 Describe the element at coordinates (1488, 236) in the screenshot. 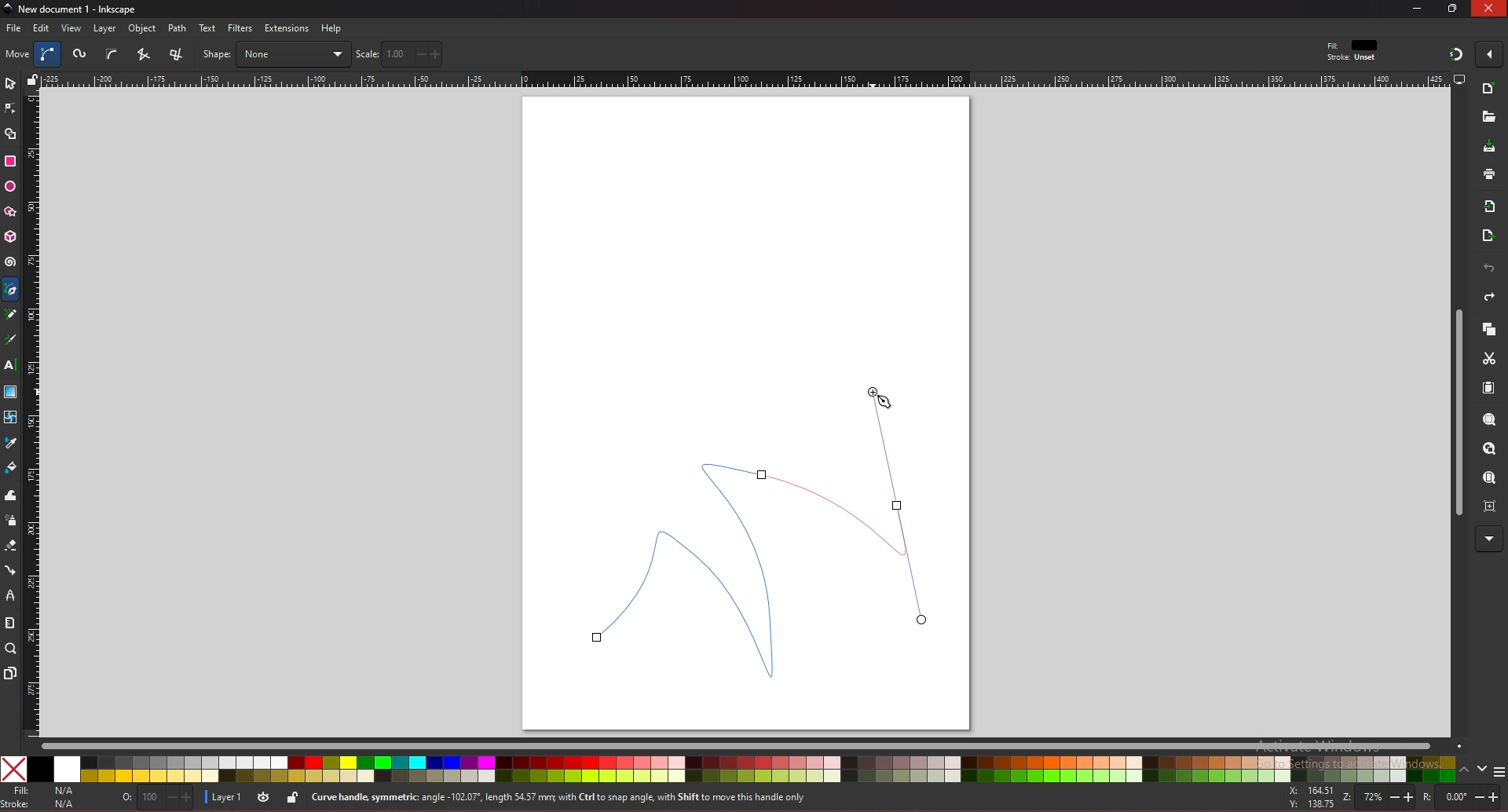

I see `export` at that location.